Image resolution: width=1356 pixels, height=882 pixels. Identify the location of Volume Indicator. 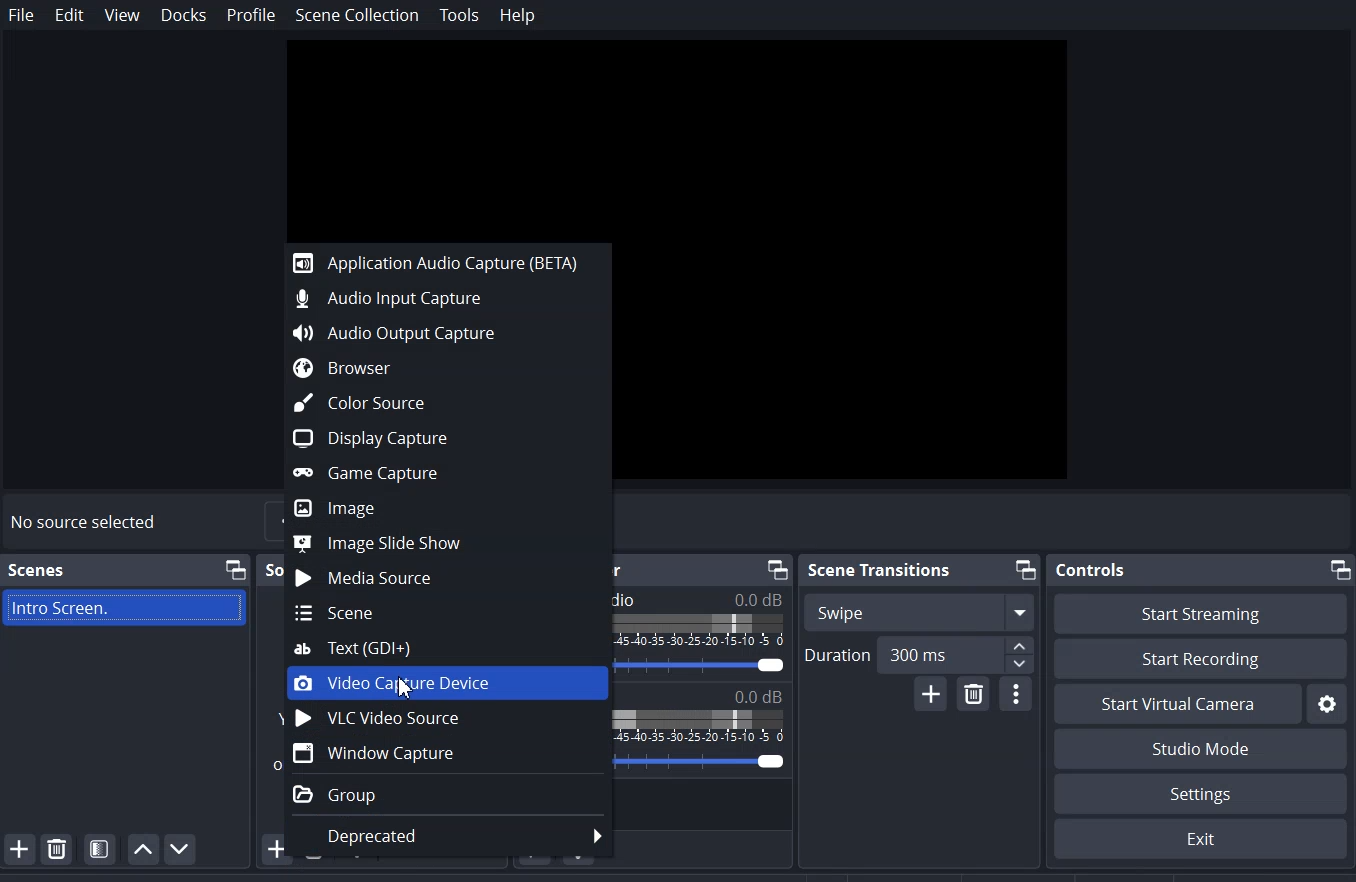
(702, 633).